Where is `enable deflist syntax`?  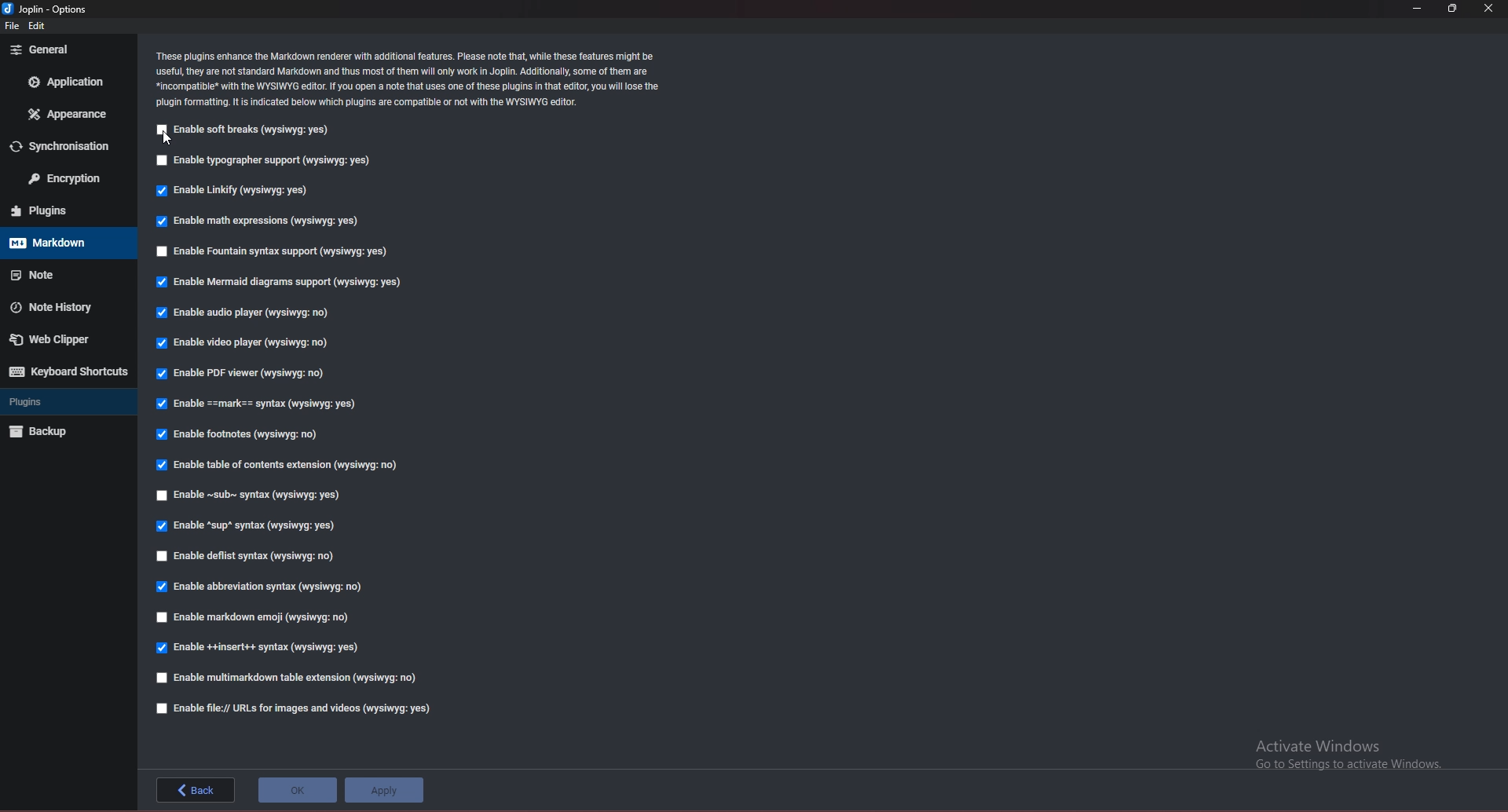 enable deflist syntax is located at coordinates (253, 558).